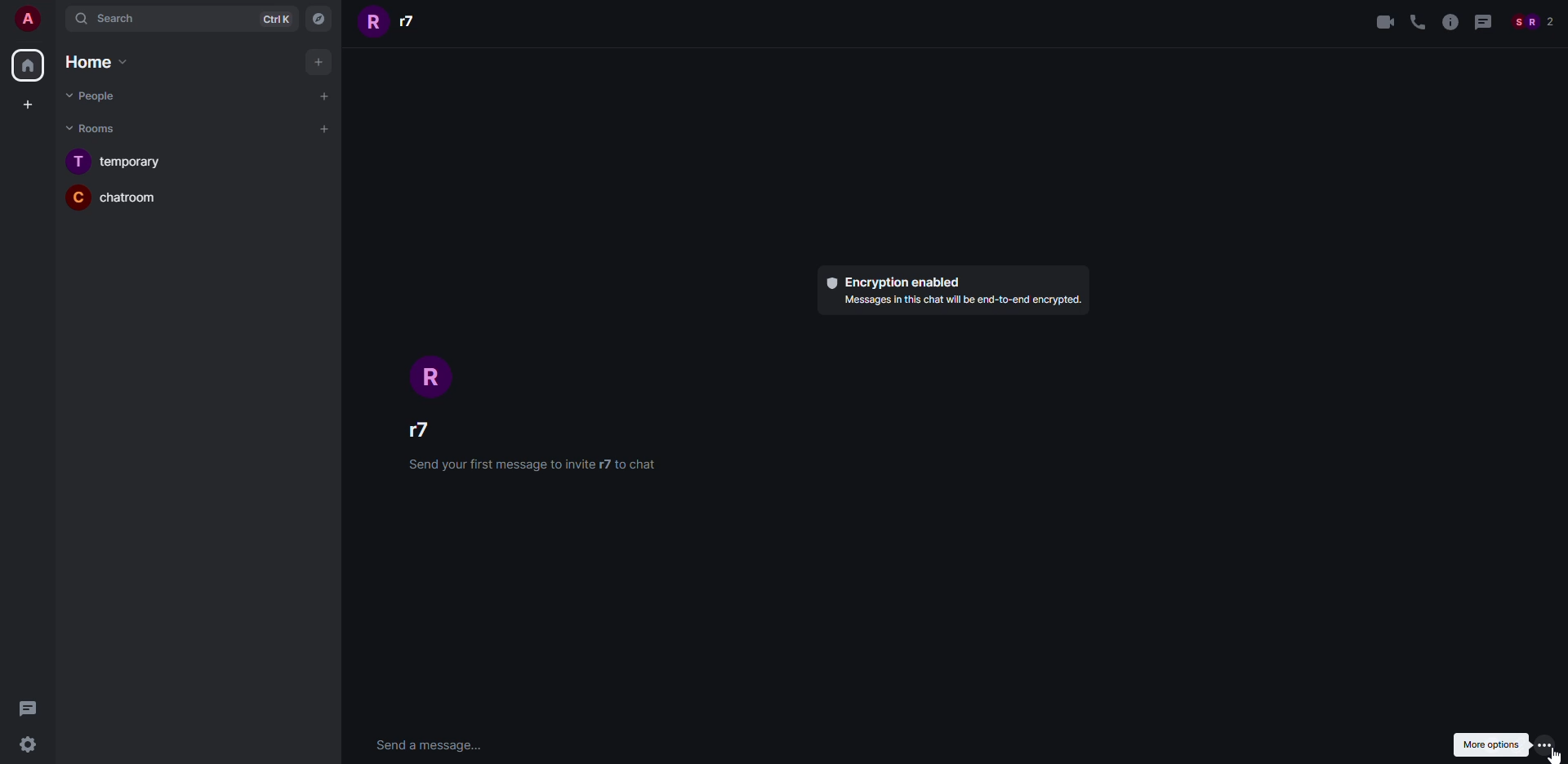 This screenshot has width=1568, height=764. Describe the element at coordinates (278, 19) in the screenshot. I see `CtrlK` at that location.